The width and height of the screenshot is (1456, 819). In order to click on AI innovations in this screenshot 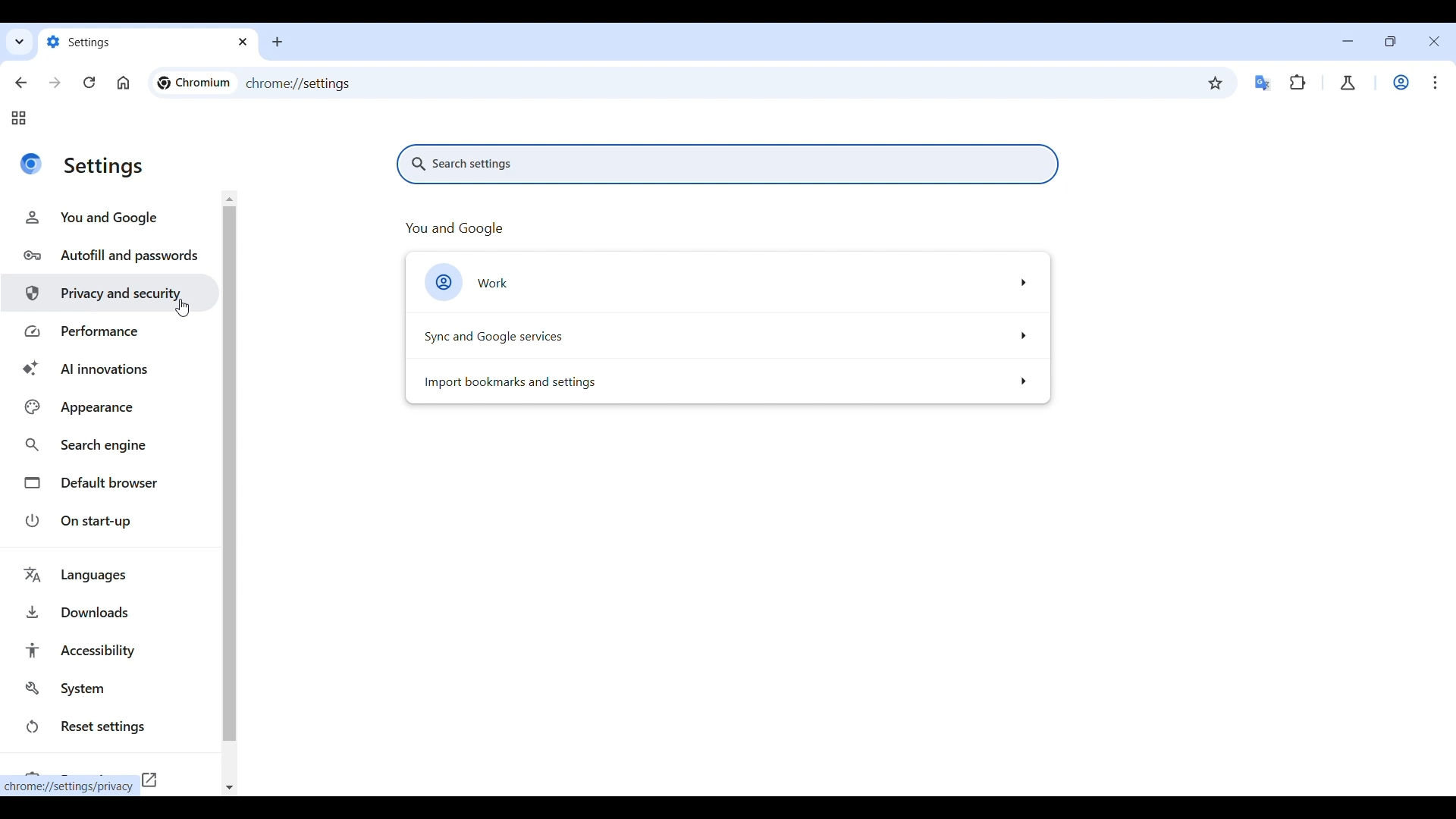, I will do `click(109, 369)`.